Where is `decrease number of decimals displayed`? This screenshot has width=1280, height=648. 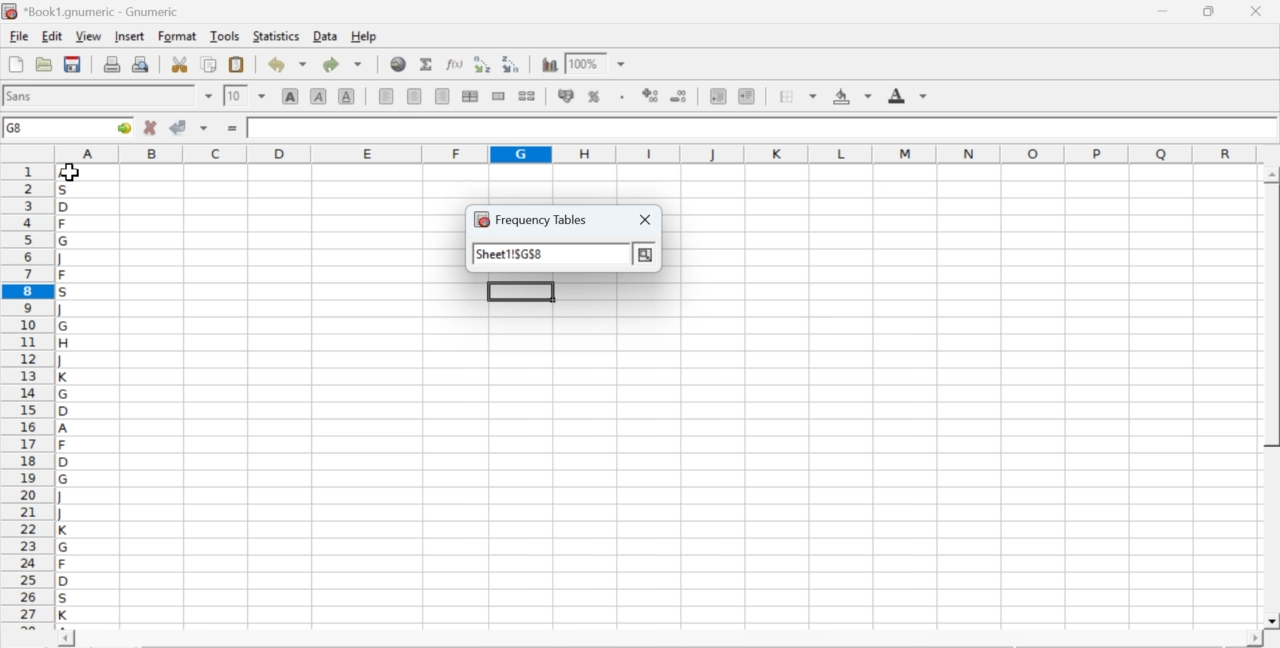 decrease number of decimals displayed is located at coordinates (678, 97).